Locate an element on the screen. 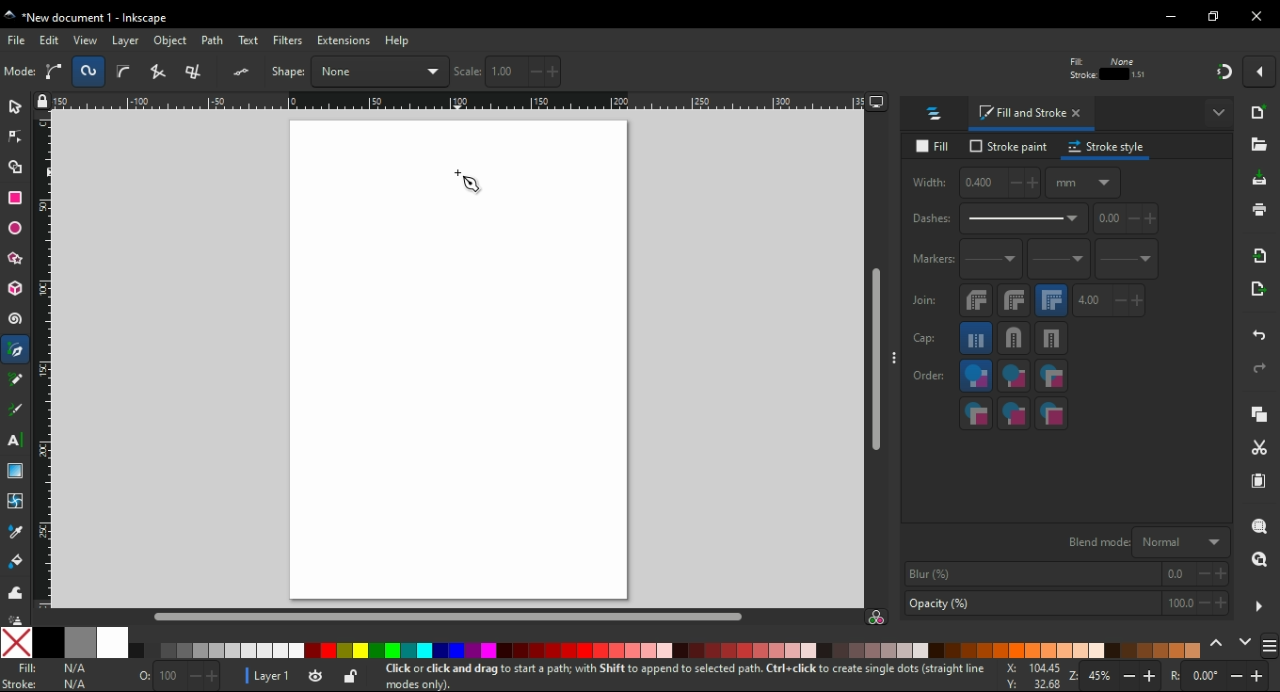 This screenshot has width=1280, height=692. redo is located at coordinates (1258, 368).